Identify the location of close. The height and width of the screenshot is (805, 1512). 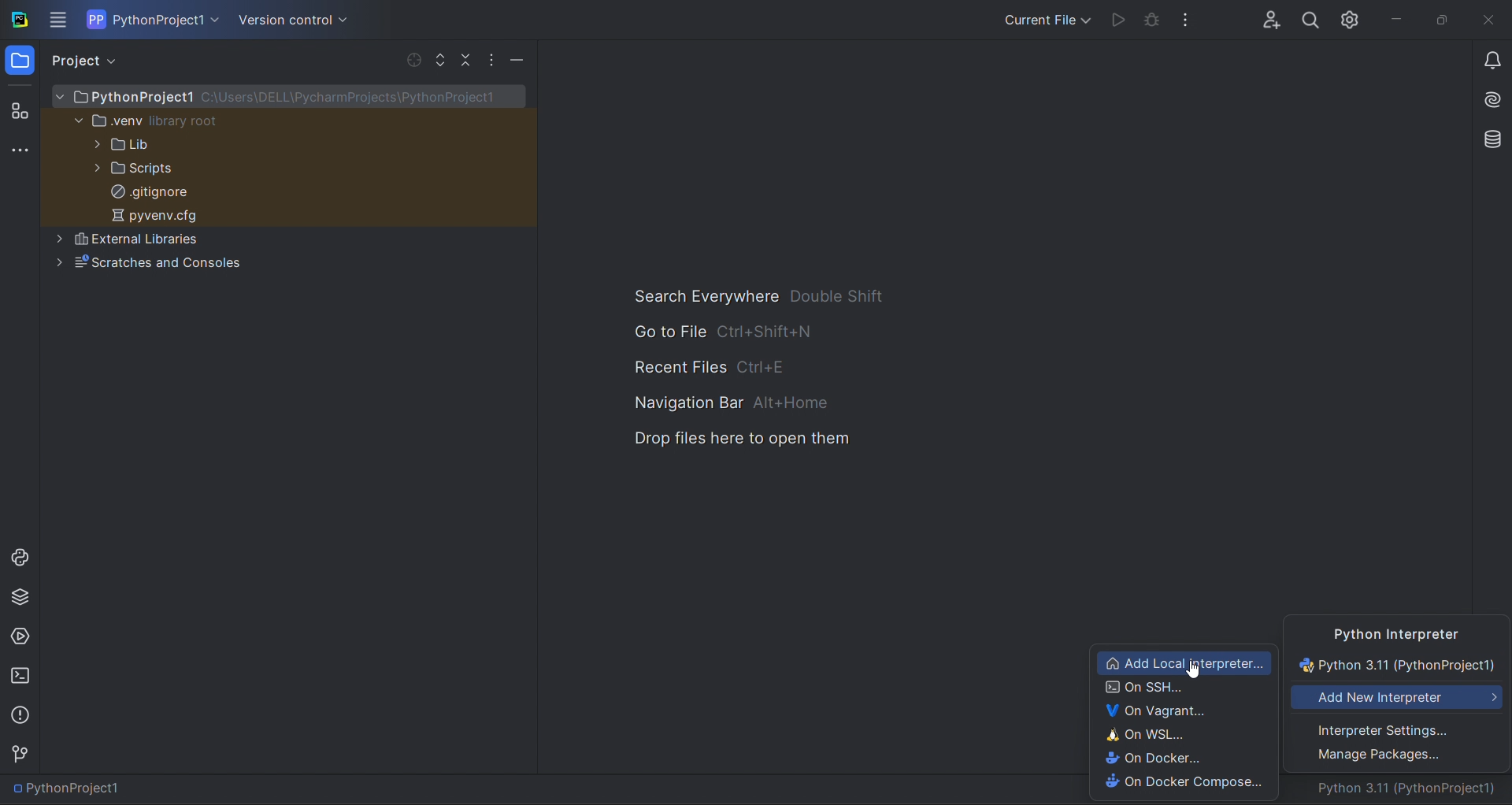
(1489, 21).